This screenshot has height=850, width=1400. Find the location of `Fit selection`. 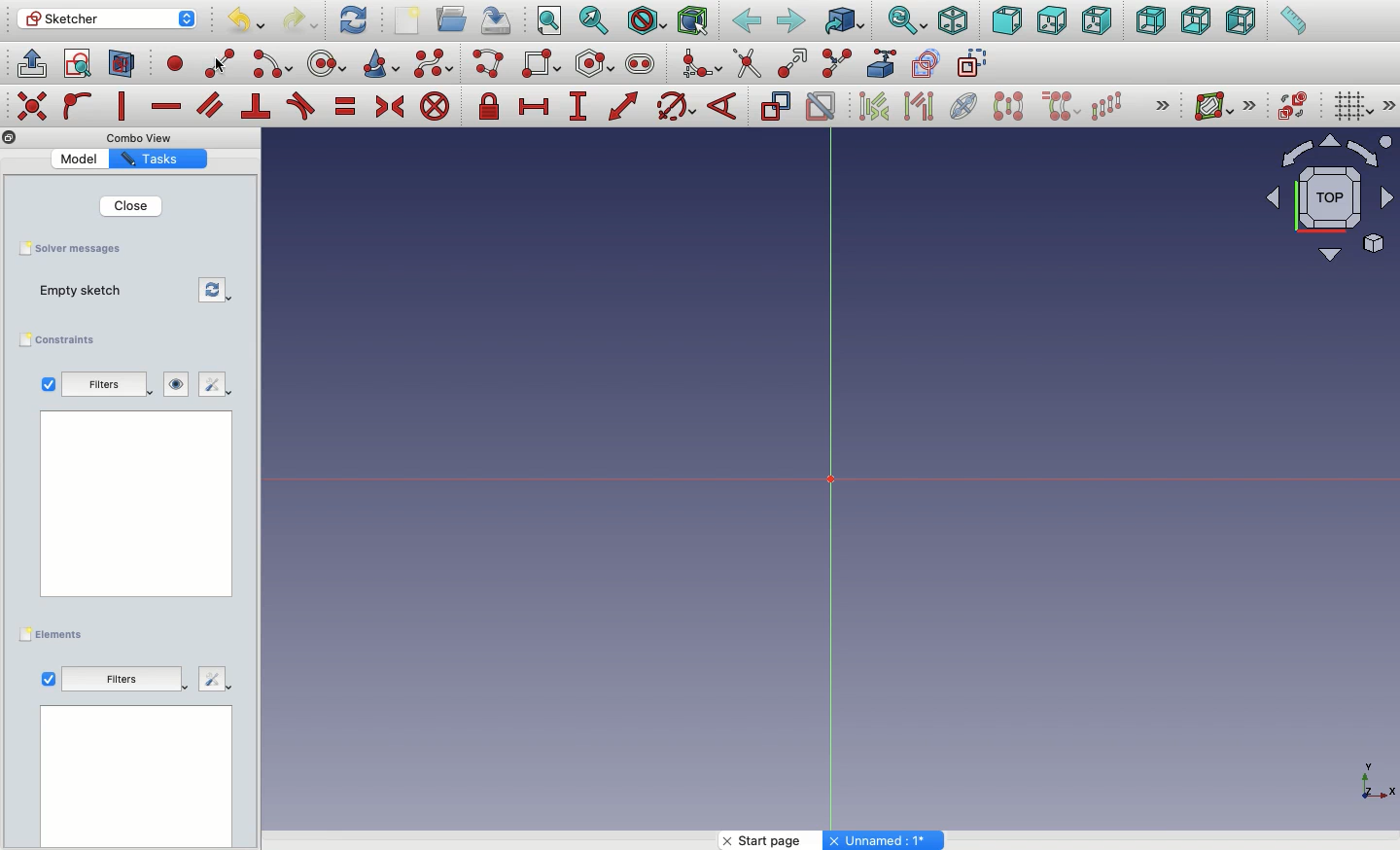

Fit selection is located at coordinates (596, 19).